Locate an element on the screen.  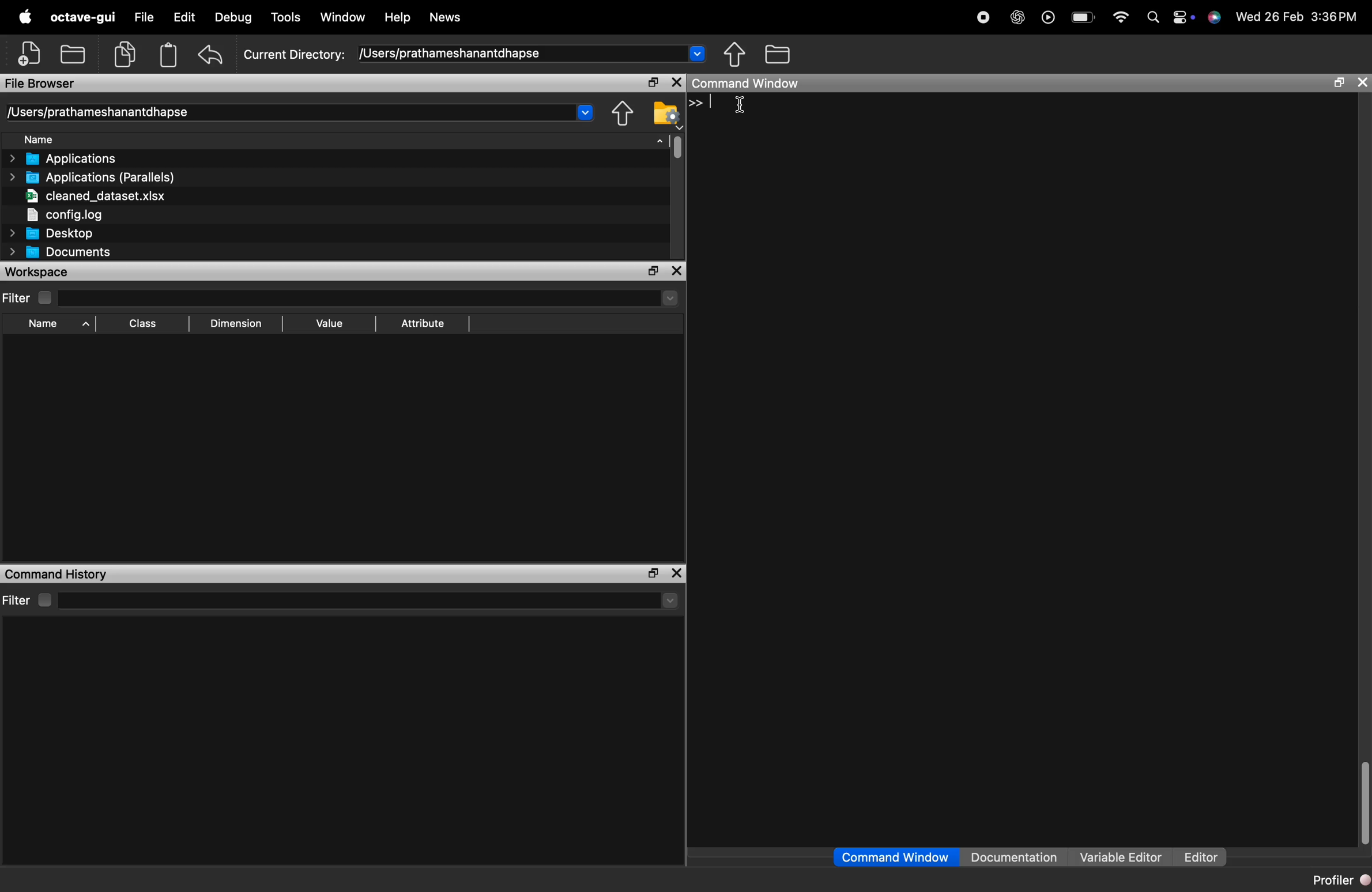
Variable Editor is located at coordinates (1118, 857).